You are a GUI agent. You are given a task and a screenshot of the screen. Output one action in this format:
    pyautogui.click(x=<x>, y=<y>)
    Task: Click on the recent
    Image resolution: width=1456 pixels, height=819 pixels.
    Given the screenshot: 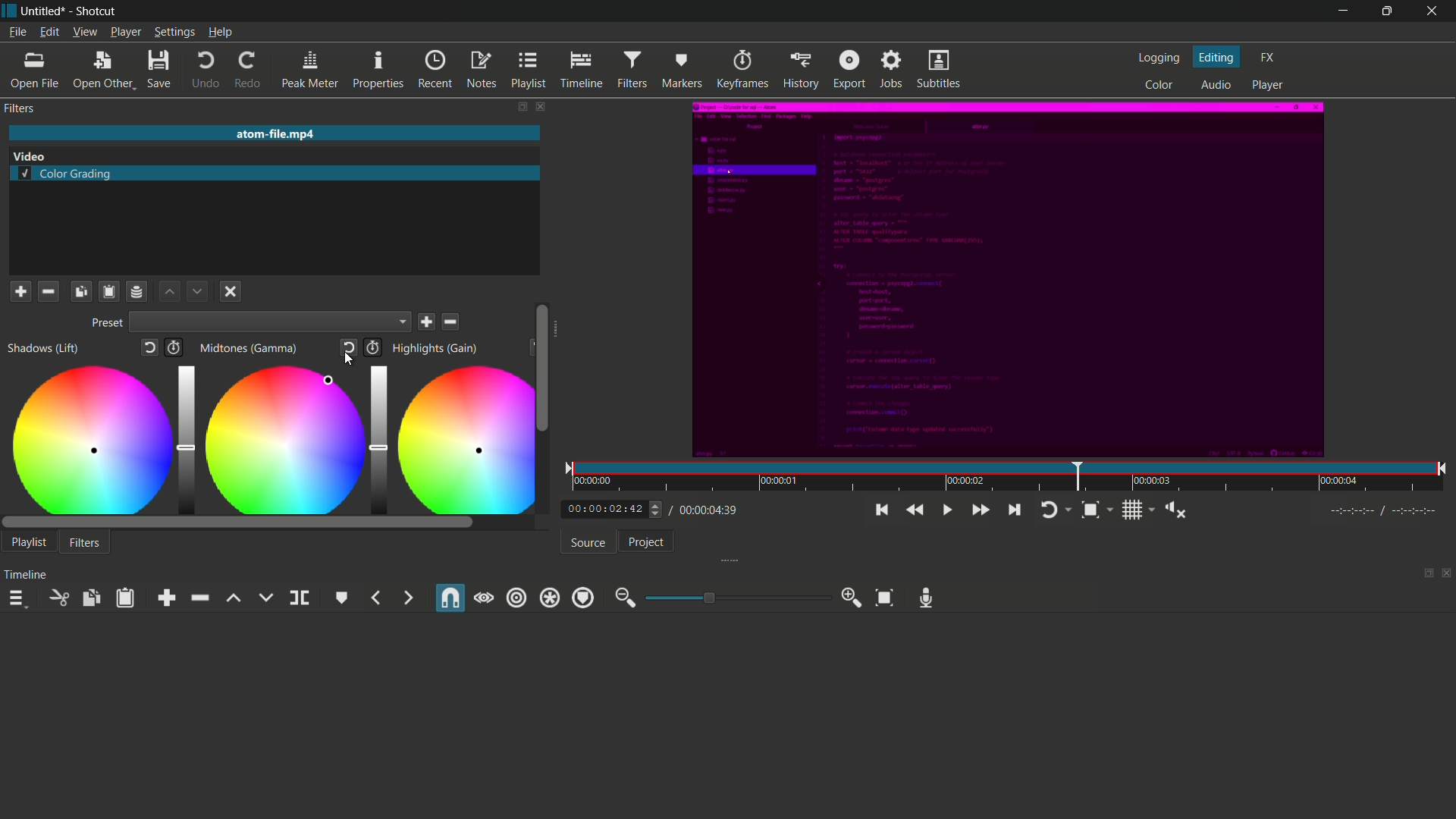 What is the action you would take?
    pyautogui.click(x=435, y=70)
    